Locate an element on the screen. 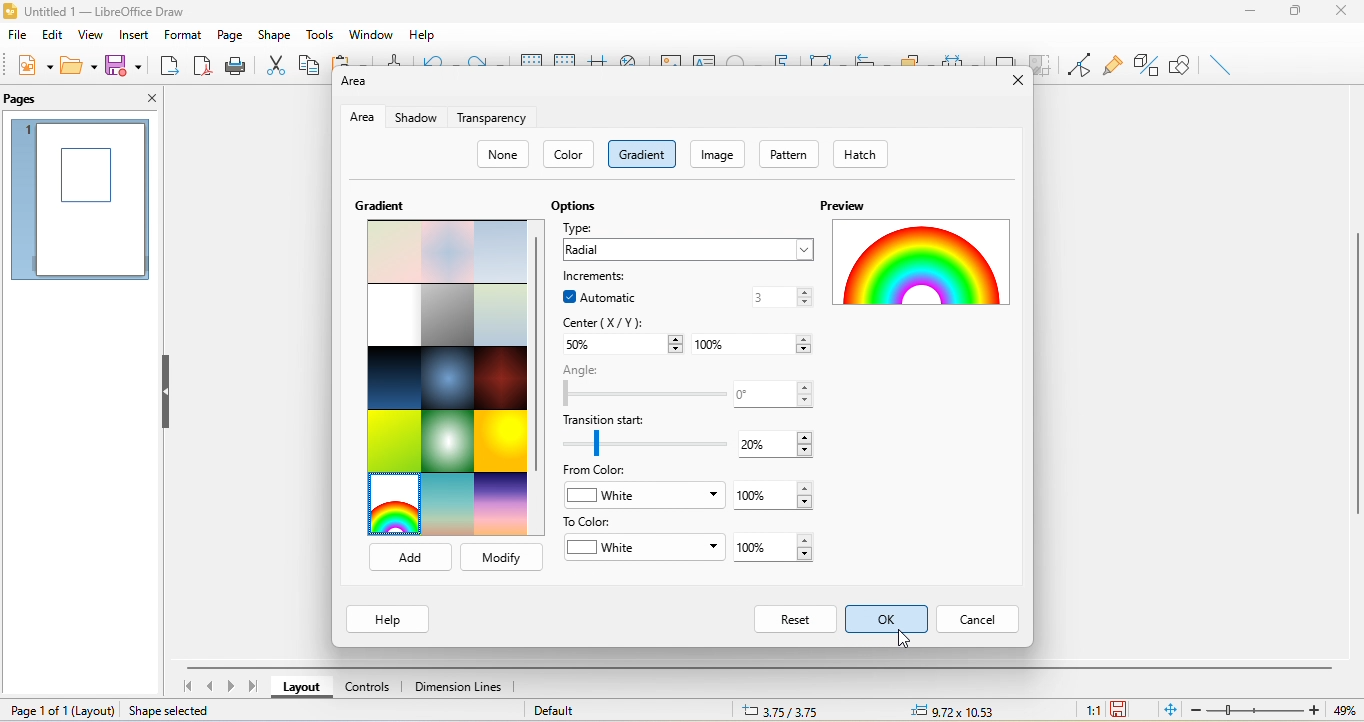  iamge is located at coordinates (722, 154).